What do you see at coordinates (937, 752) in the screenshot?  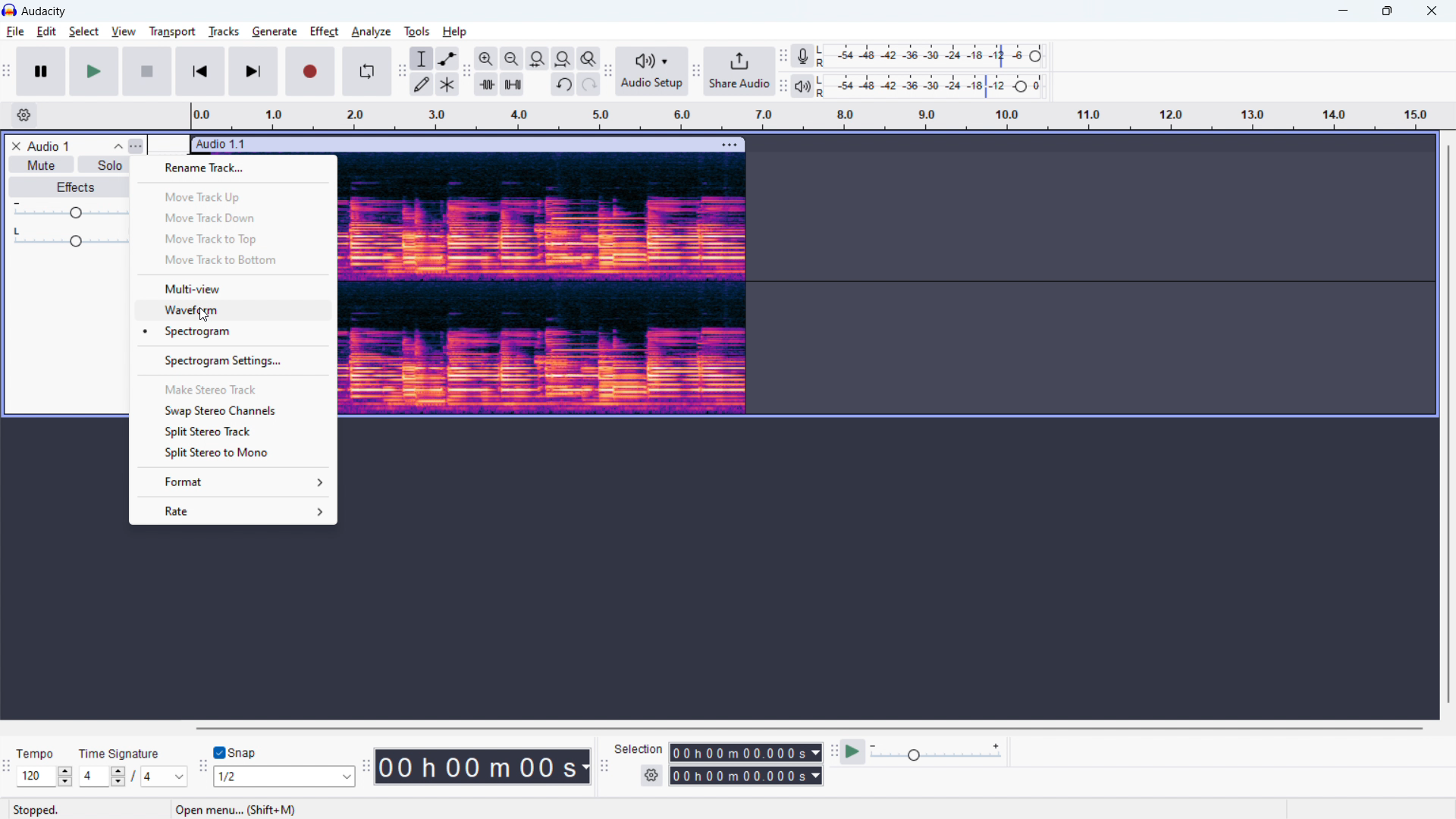 I see `playback speed` at bounding box center [937, 752].